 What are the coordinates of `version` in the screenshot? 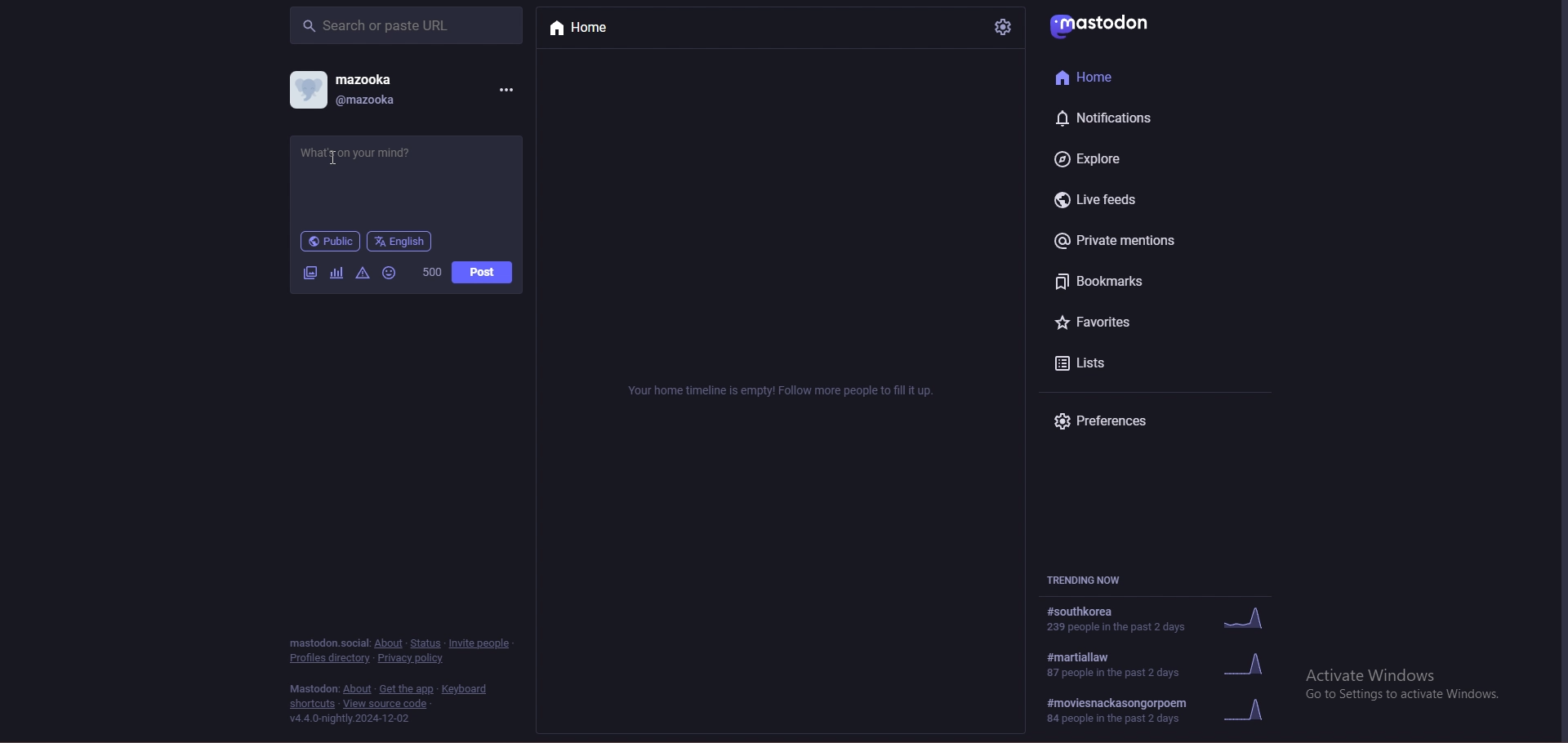 It's located at (353, 719).